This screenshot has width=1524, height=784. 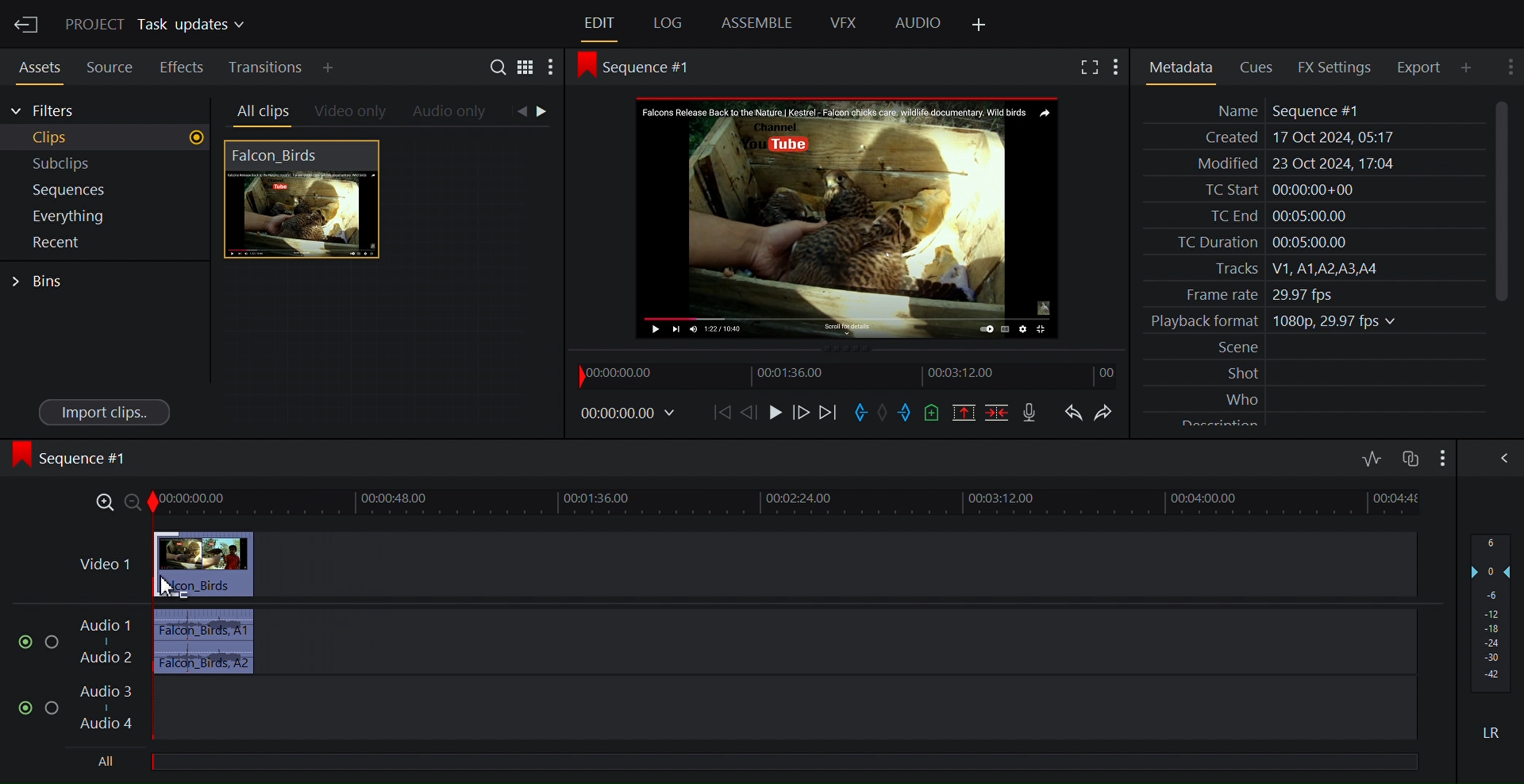 I want to click on Toggle between list and tile view, so click(x=528, y=70).